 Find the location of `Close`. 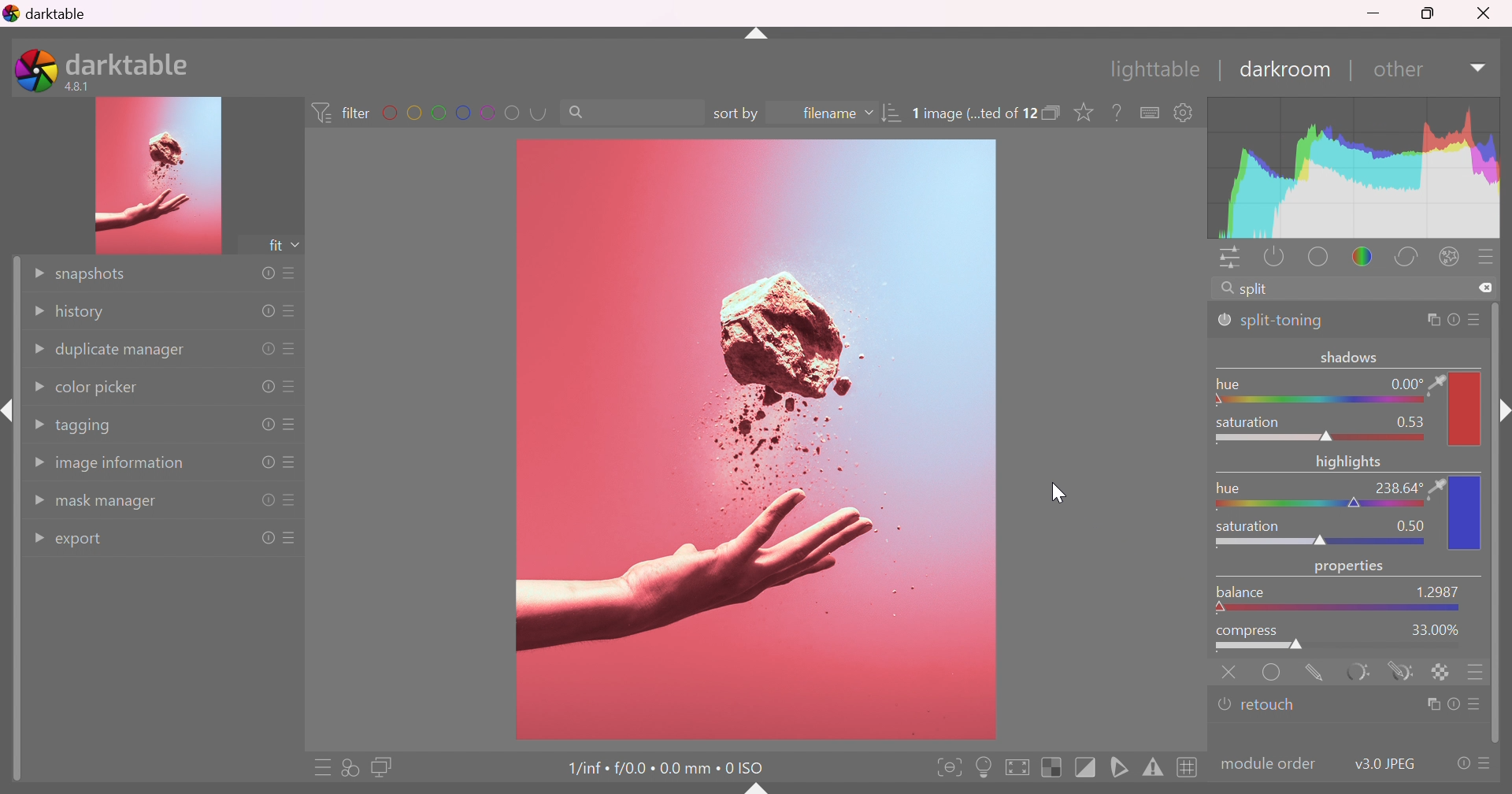

Close is located at coordinates (1487, 14).